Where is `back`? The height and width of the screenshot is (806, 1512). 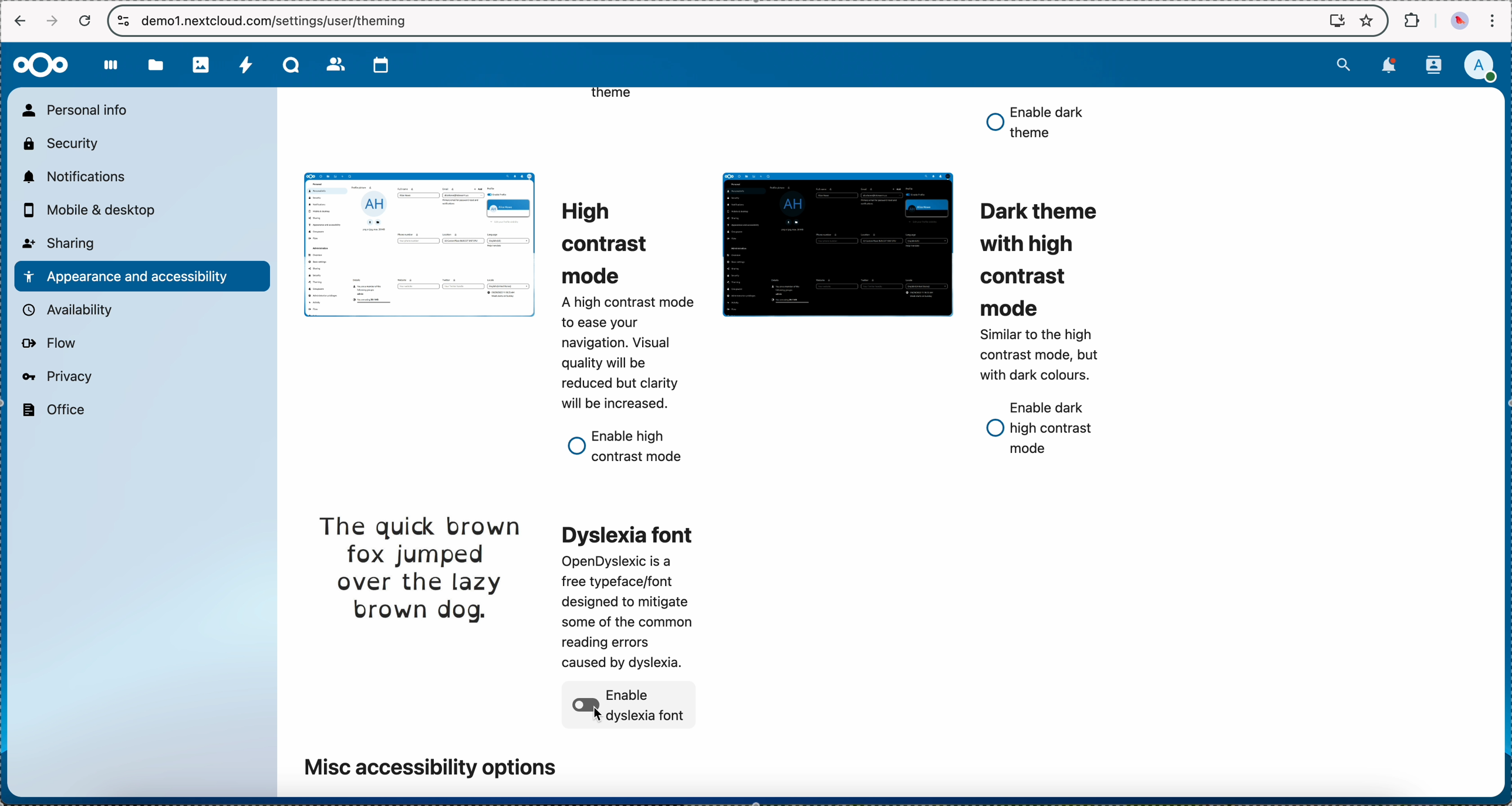 back is located at coordinates (22, 23).